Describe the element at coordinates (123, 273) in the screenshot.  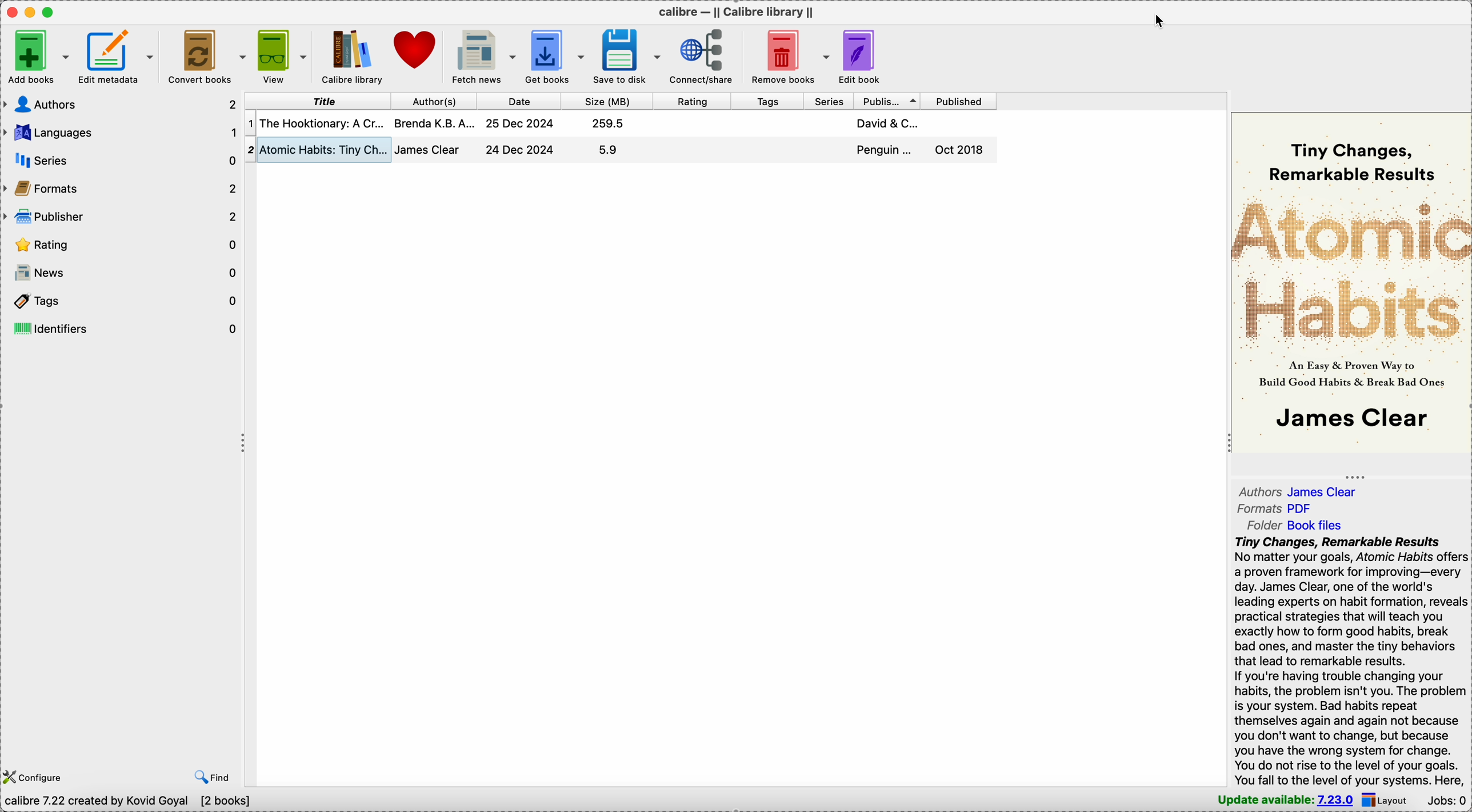
I see `news` at that location.